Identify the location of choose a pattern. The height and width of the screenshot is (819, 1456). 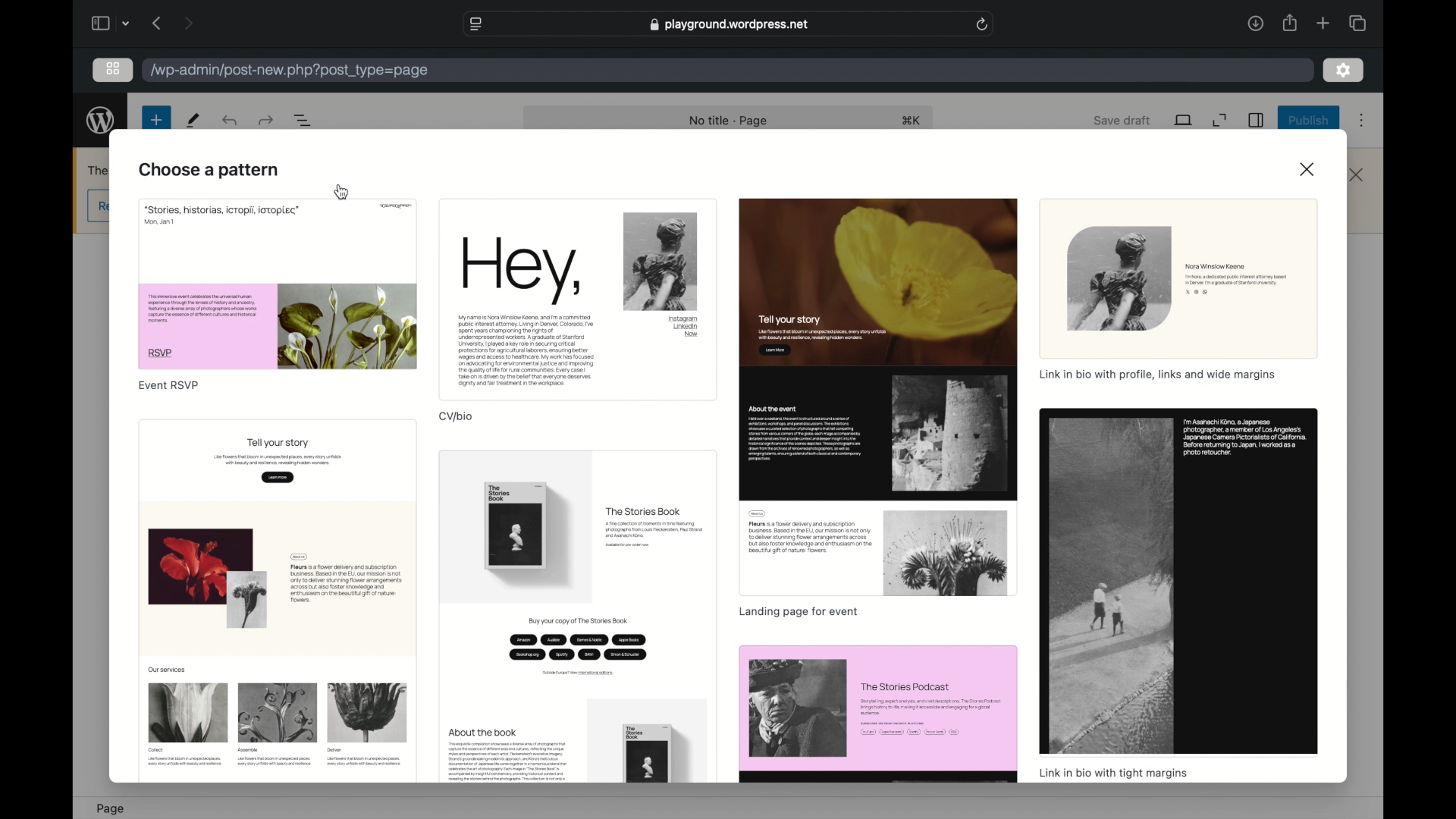
(209, 171).